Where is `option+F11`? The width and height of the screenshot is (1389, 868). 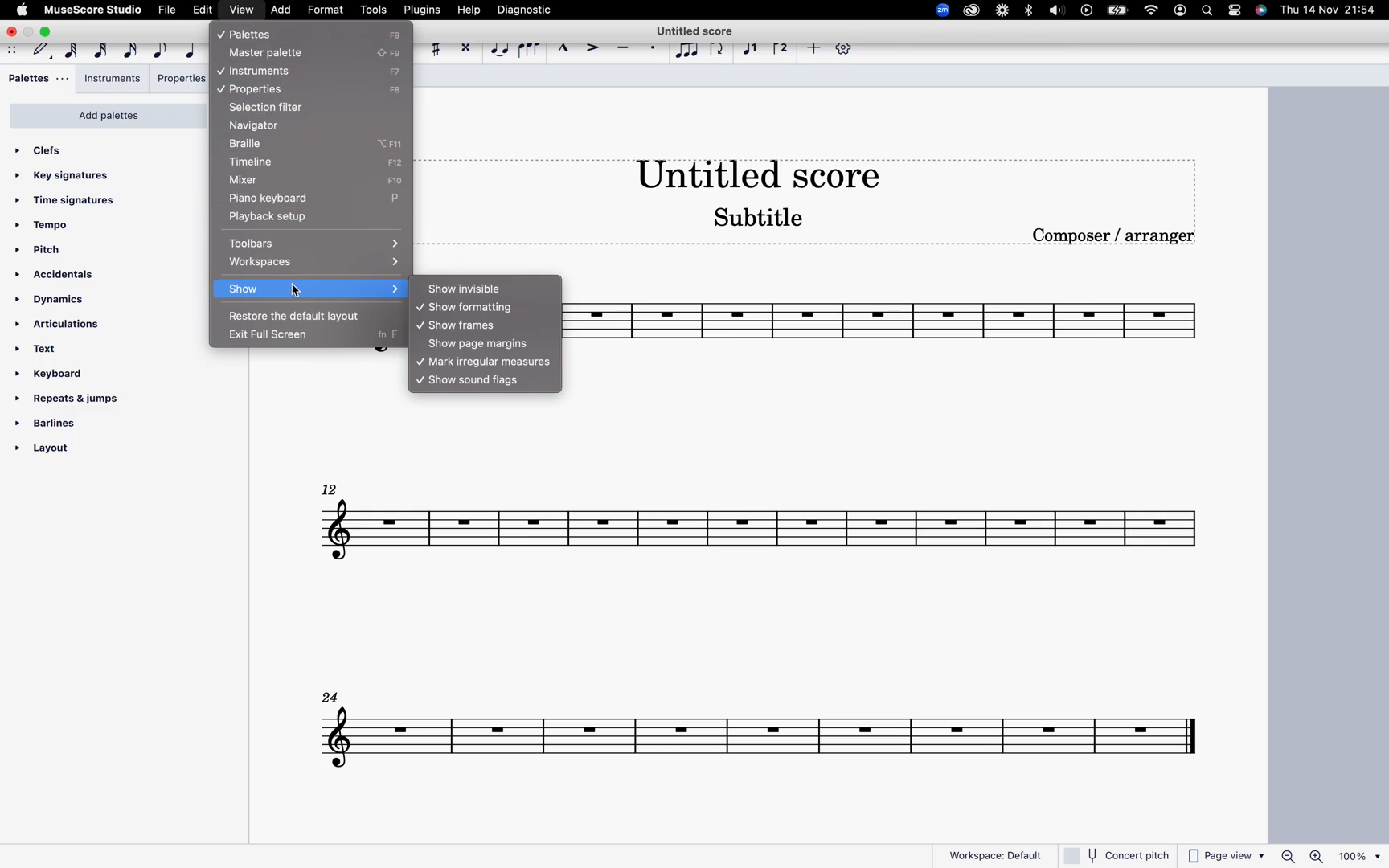 option+F11 is located at coordinates (396, 144).